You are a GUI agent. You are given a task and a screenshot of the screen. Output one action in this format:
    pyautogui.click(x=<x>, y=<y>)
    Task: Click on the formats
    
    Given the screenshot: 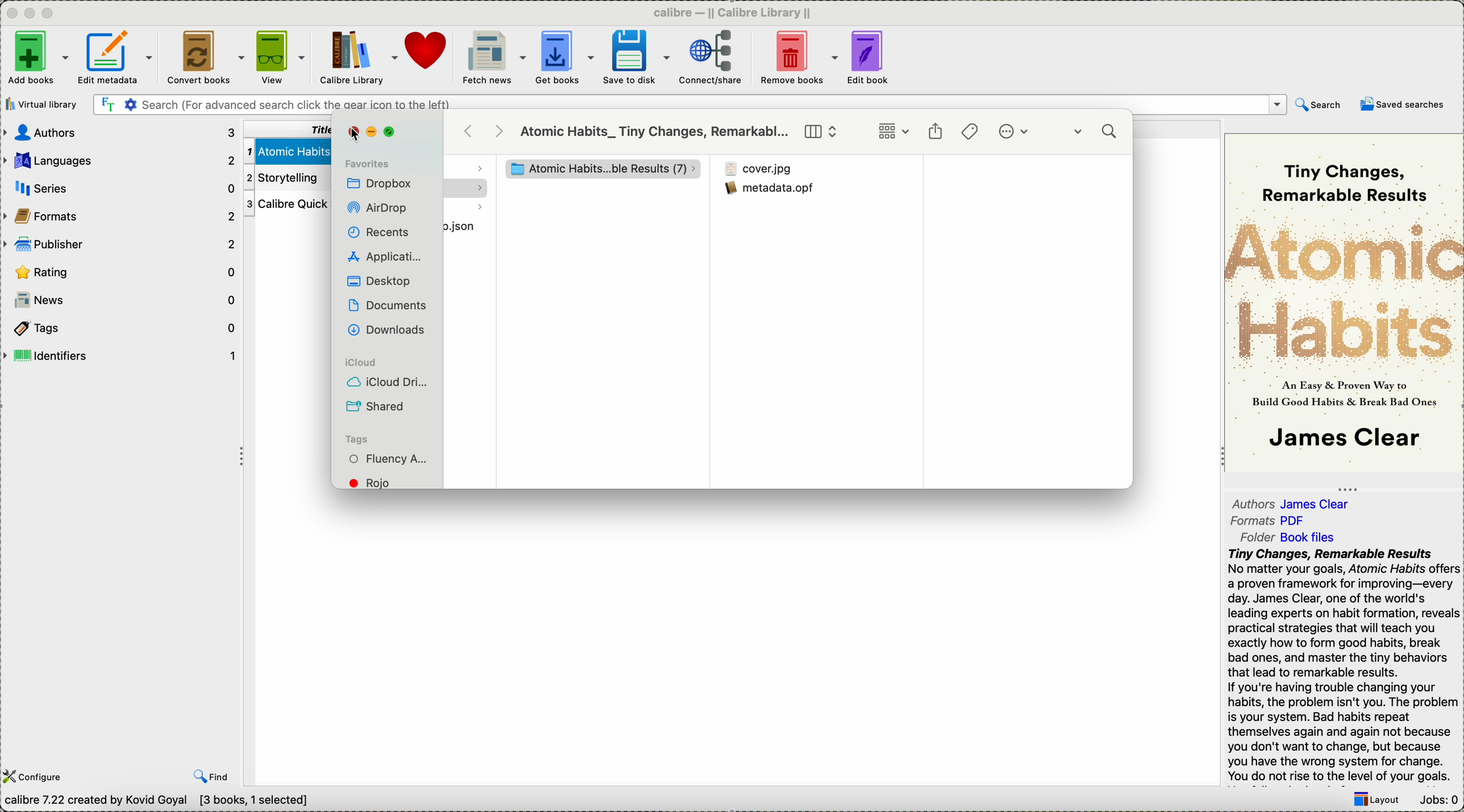 What is the action you would take?
    pyautogui.click(x=1271, y=521)
    